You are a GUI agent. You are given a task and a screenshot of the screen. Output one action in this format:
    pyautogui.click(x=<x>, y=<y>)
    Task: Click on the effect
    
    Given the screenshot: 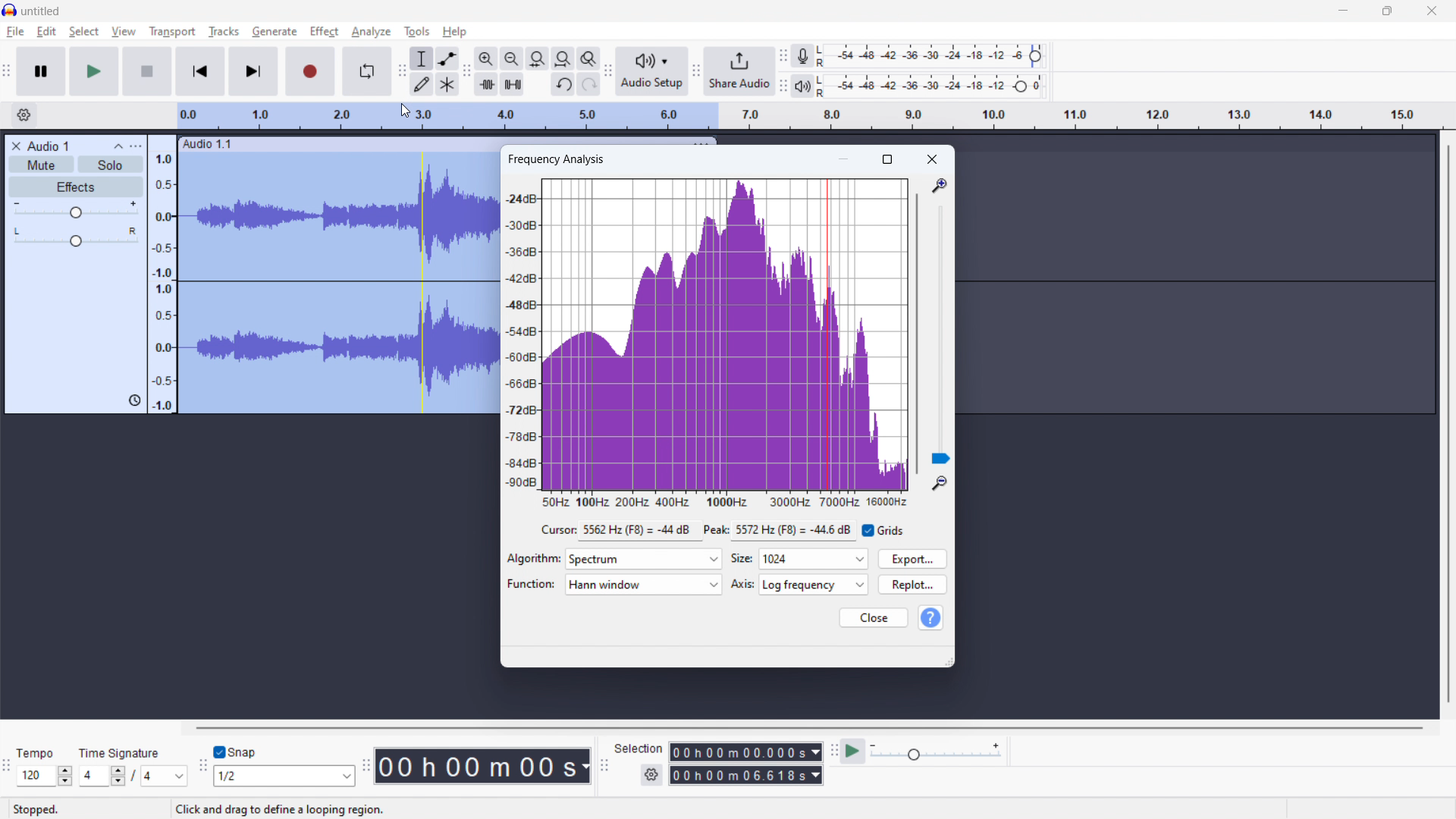 What is the action you would take?
    pyautogui.click(x=76, y=187)
    